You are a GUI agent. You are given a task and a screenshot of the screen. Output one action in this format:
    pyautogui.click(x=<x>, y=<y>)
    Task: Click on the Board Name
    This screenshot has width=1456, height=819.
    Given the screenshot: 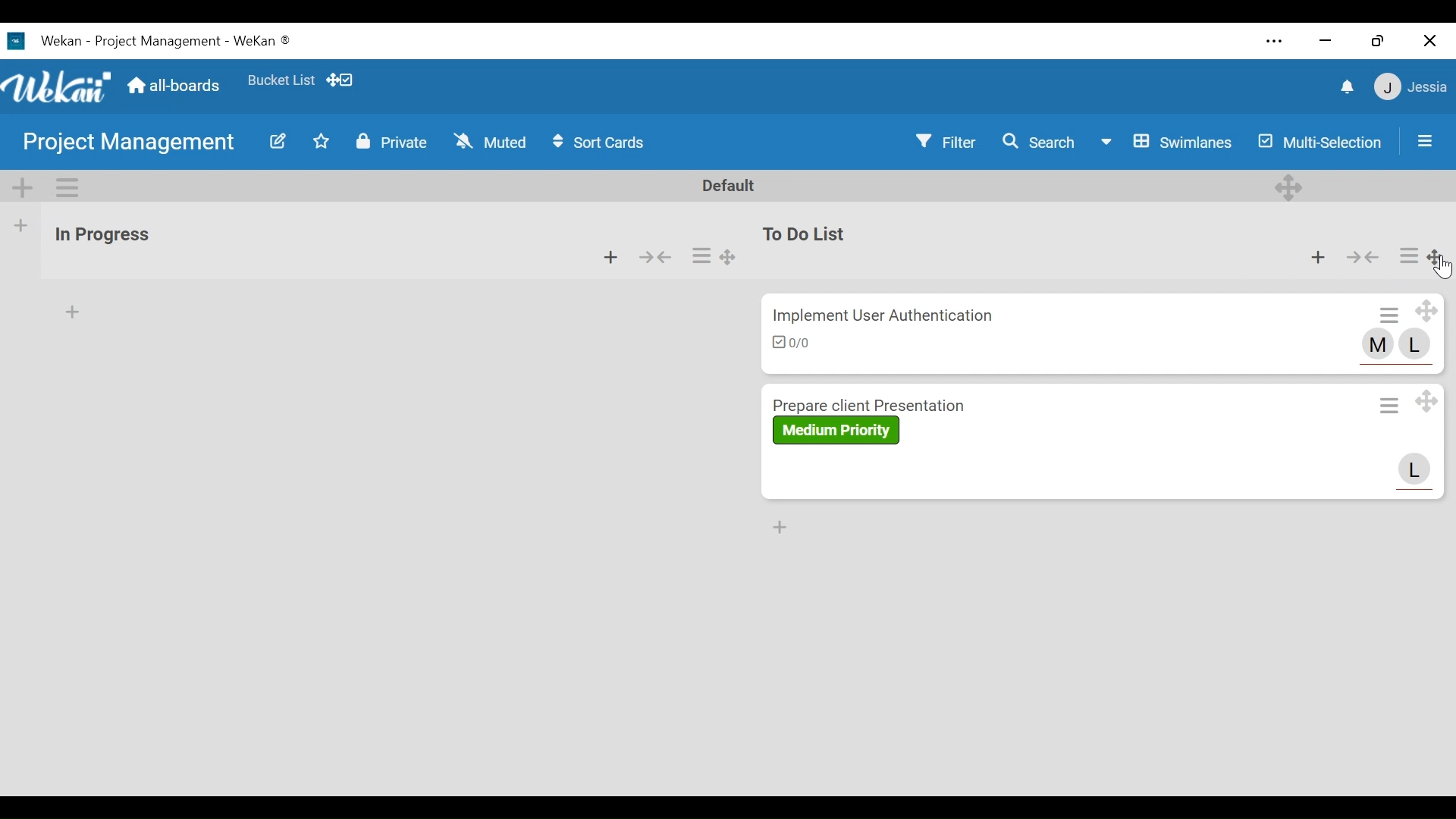 What is the action you would take?
    pyautogui.click(x=130, y=142)
    